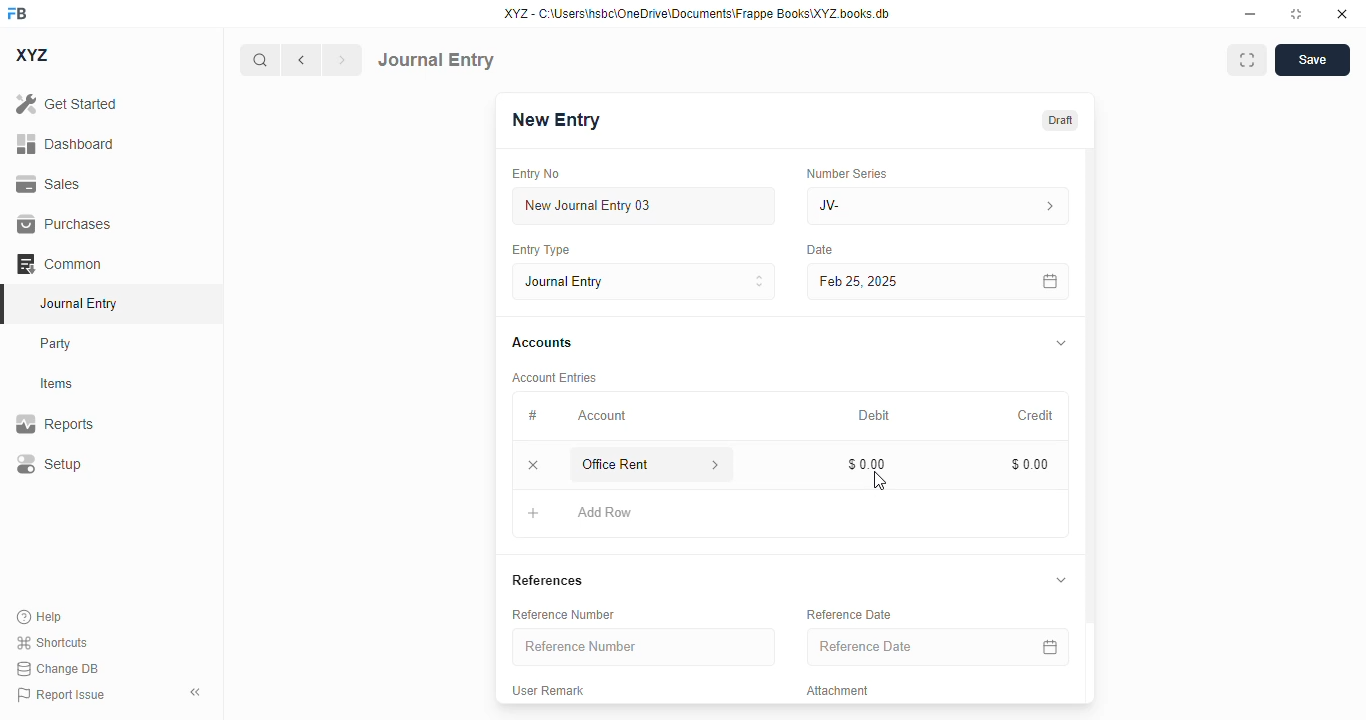 This screenshot has width=1366, height=720. Describe the element at coordinates (631, 464) in the screenshot. I see `office rent` at that location.